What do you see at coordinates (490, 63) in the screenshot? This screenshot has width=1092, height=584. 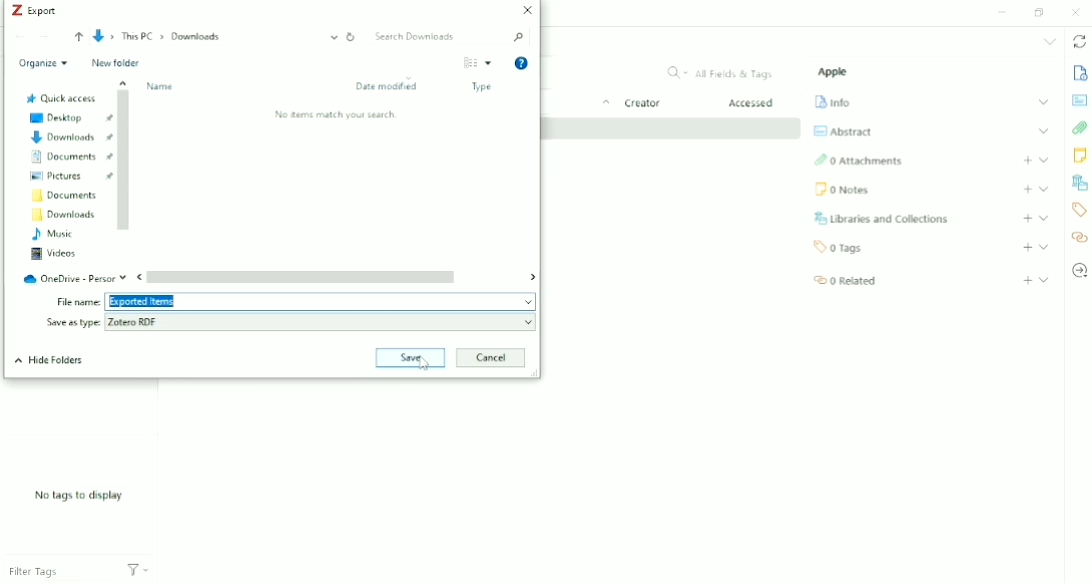 I see `More Options` at bounding box center [490, 63].